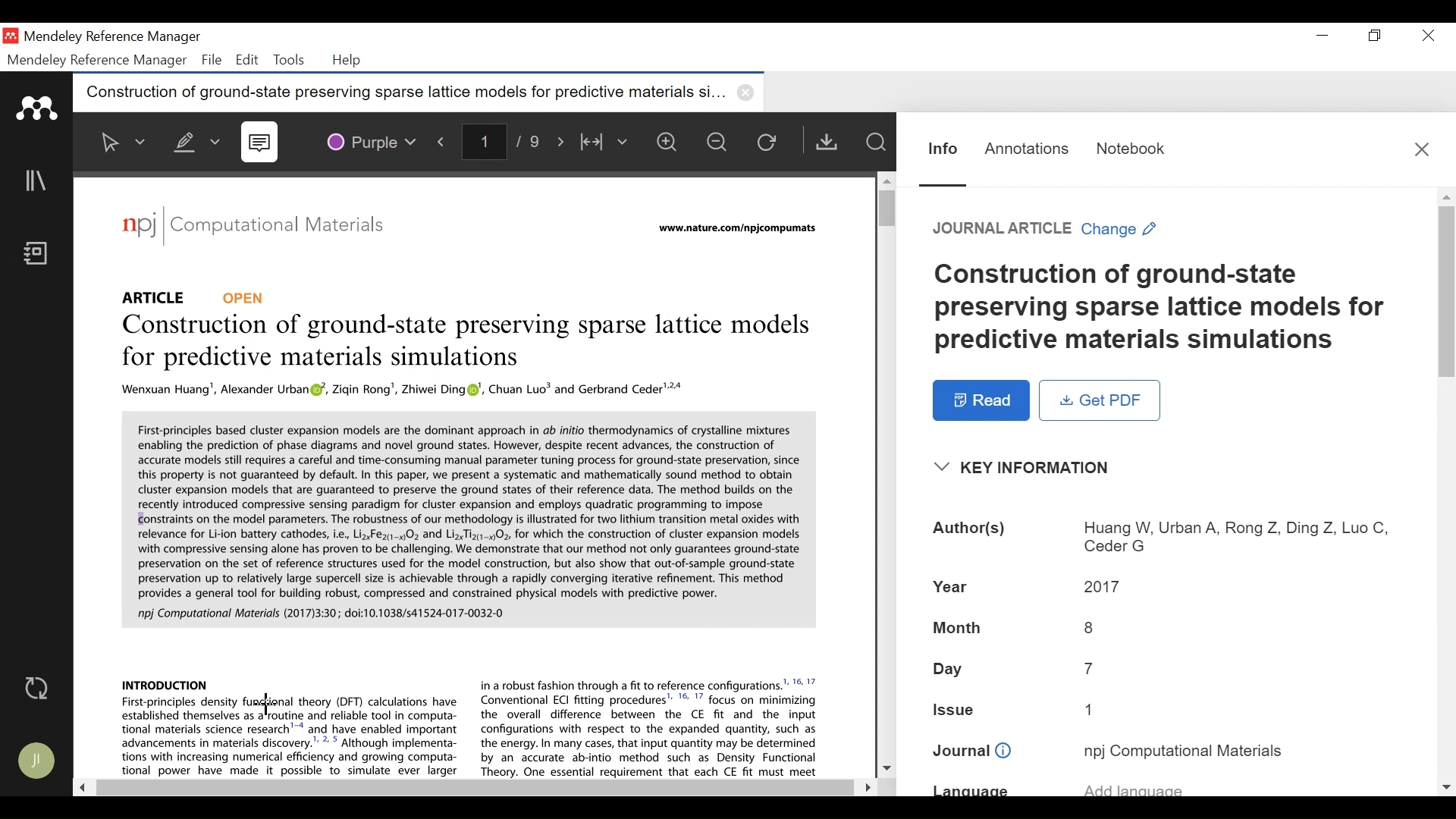 This screenshot has width=1456, height=819. Describe the element at coordinates (39, 762) in the screenshot. I see `Avatar` at that location.